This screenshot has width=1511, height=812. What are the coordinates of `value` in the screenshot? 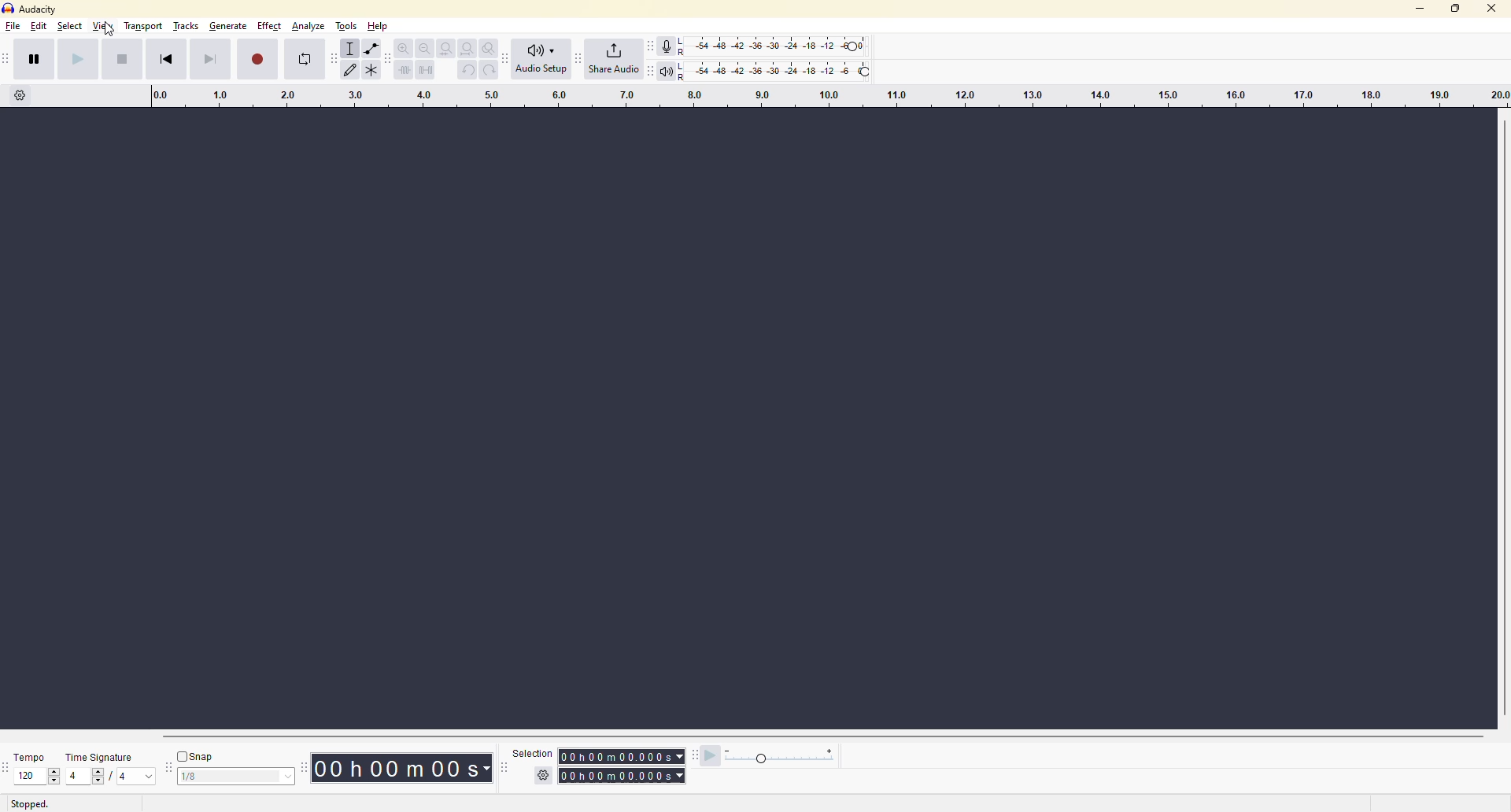 It's located at (34, 777).